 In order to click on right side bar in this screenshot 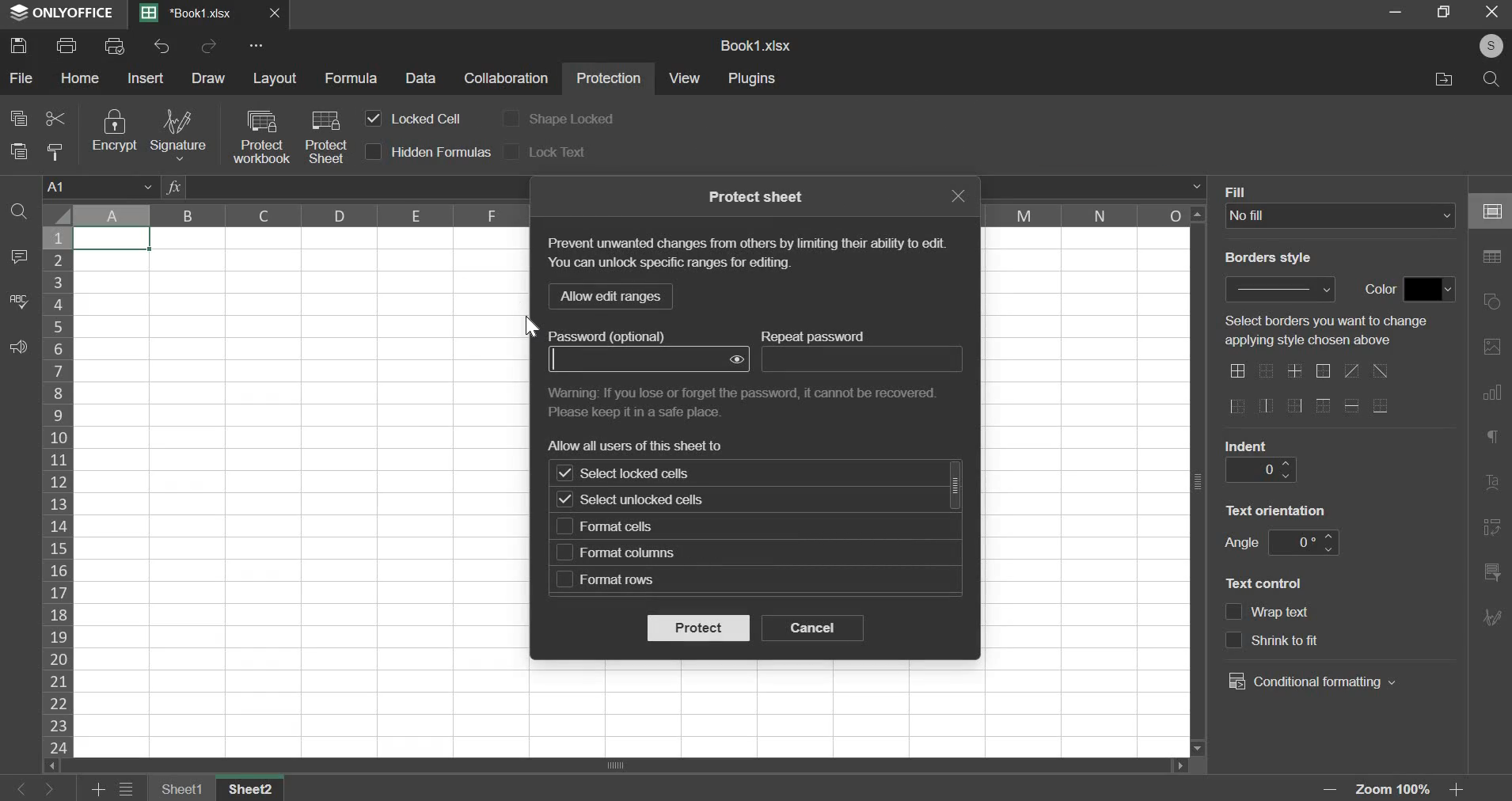, I will do `click(1496, 211)`.